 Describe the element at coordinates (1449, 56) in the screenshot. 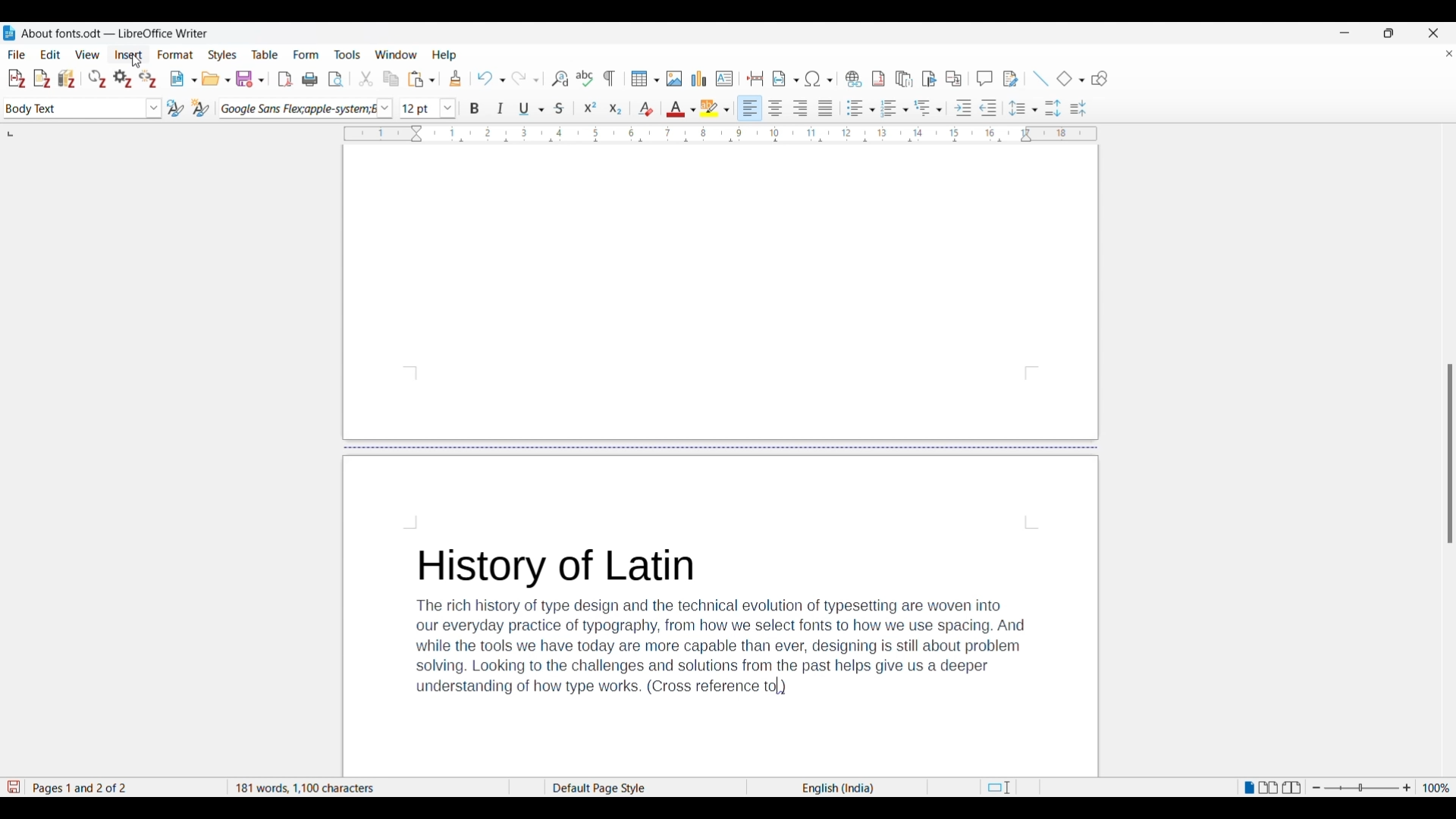

I see `Close document` at that location.